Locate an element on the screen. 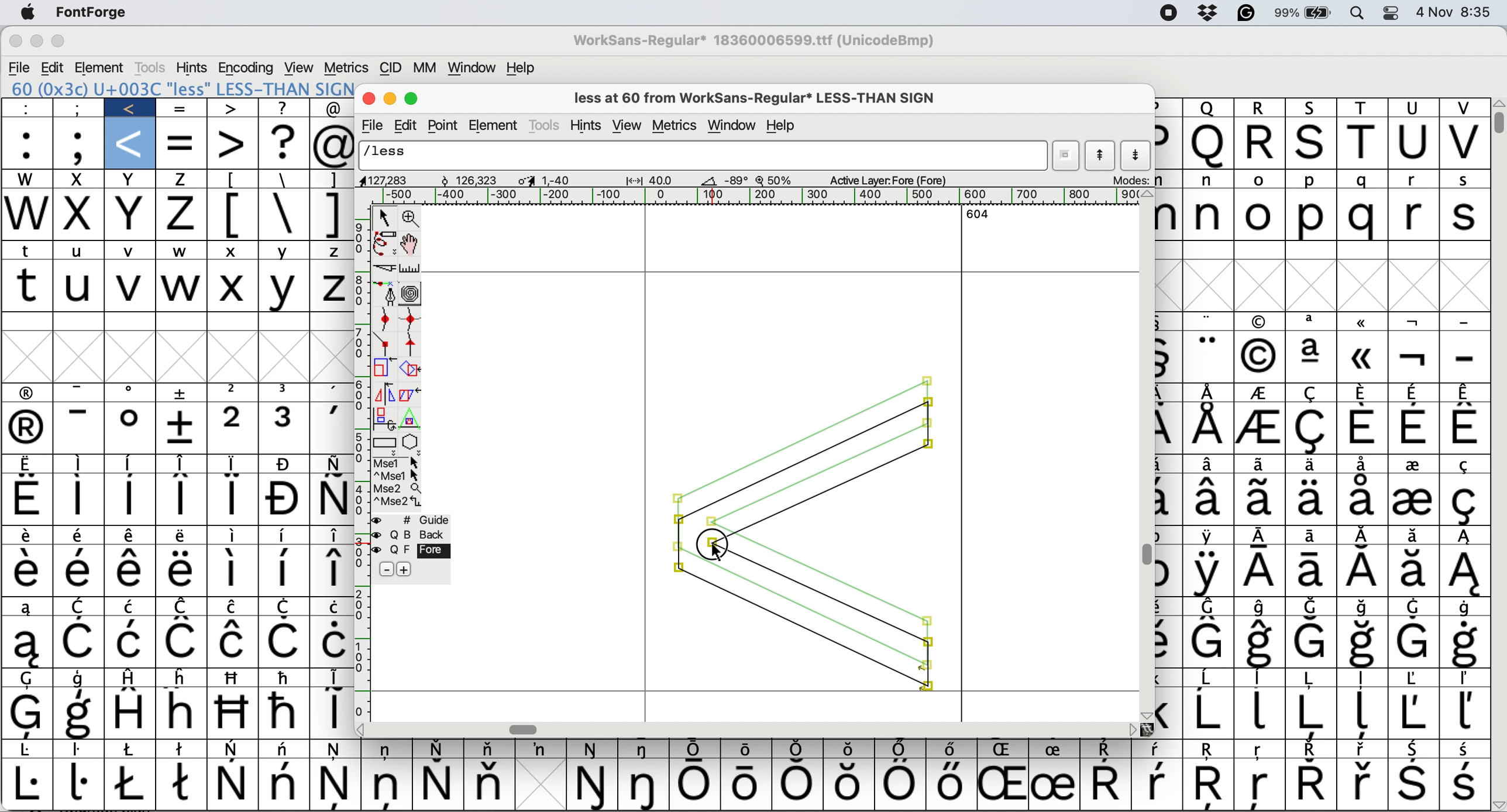 The image size is (1507, 812). rectangle or ellipse is located at coordinates (385, 441).